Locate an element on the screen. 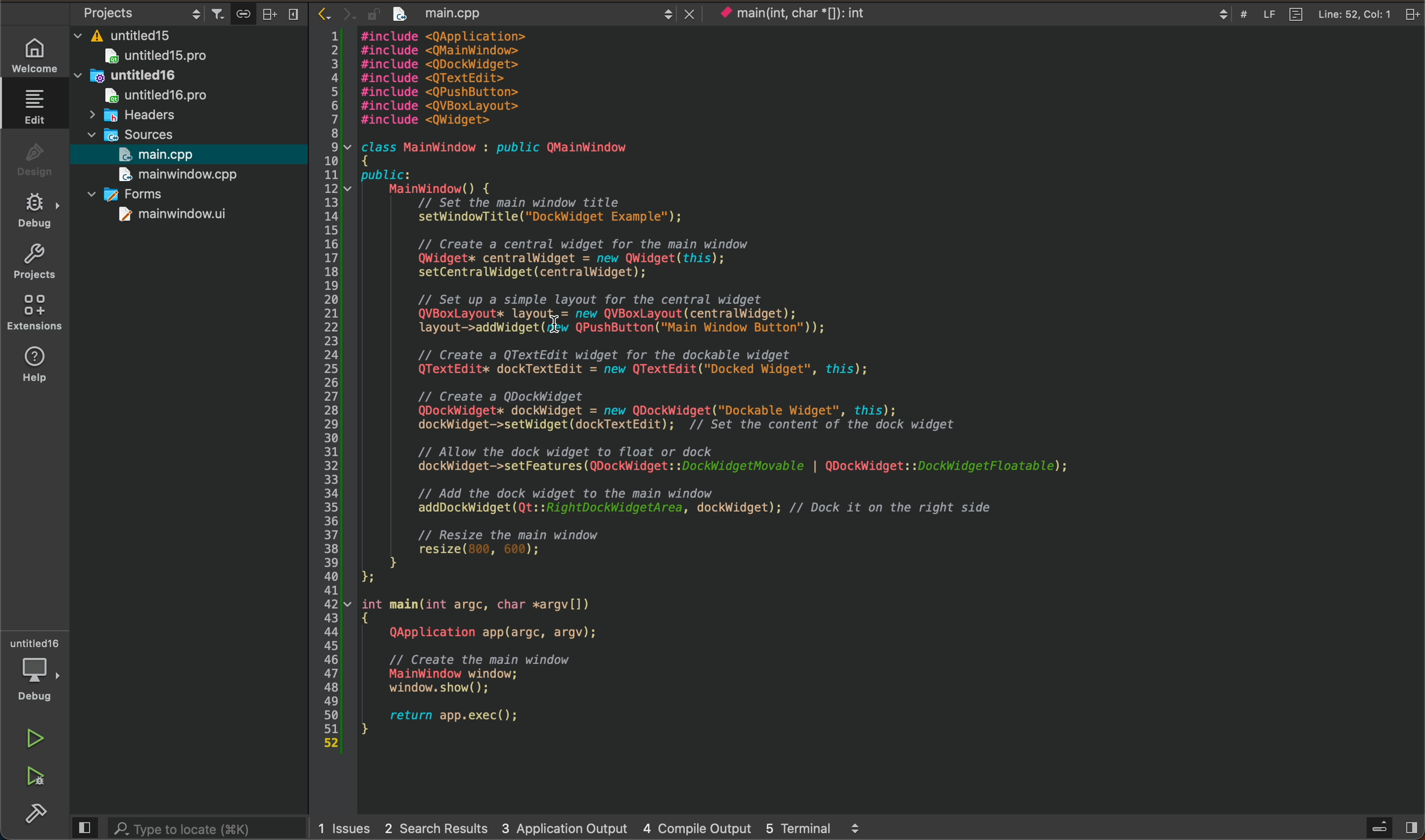 Image resolution: width=1425 pixels, height=840 pixels. file info is located at coordinates (1313, 14).